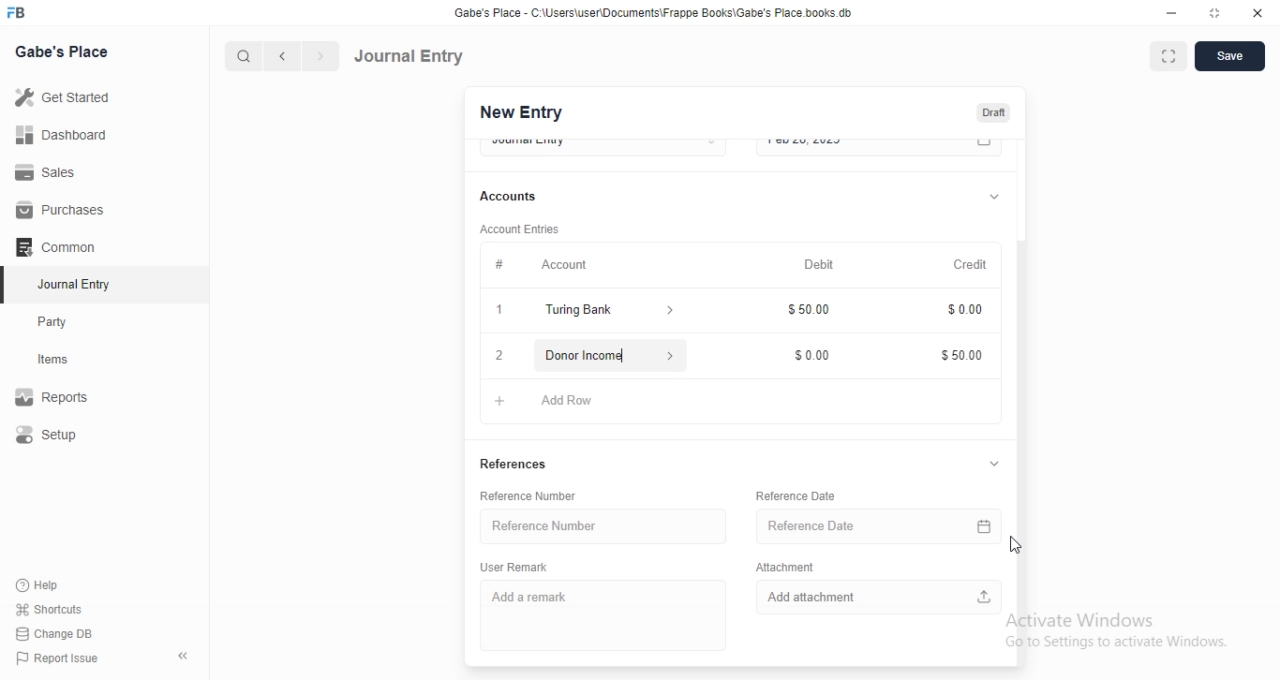 This screenshot has width=1280, height=680. Describe the element at coordinates (245, 56) in the screenshot. I see `search` at that location.